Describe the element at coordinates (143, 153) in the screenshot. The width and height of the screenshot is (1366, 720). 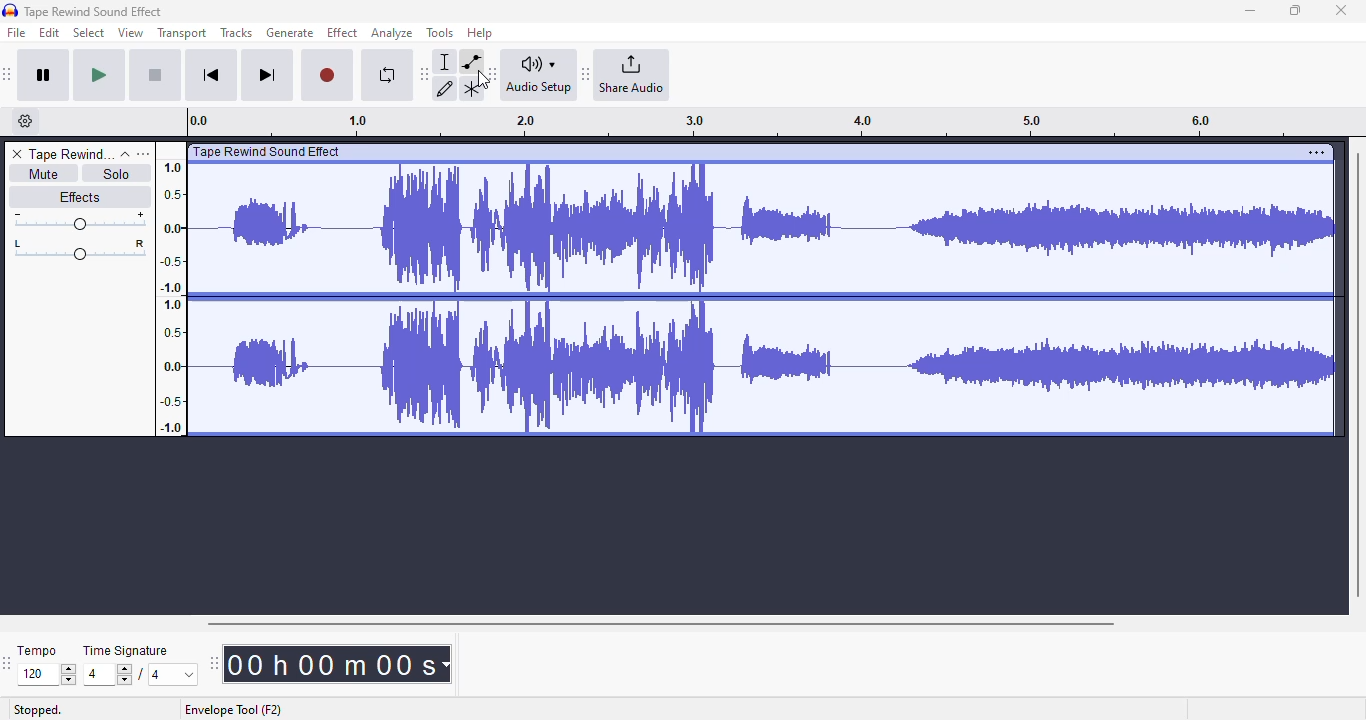
I see `open menu` at that location.